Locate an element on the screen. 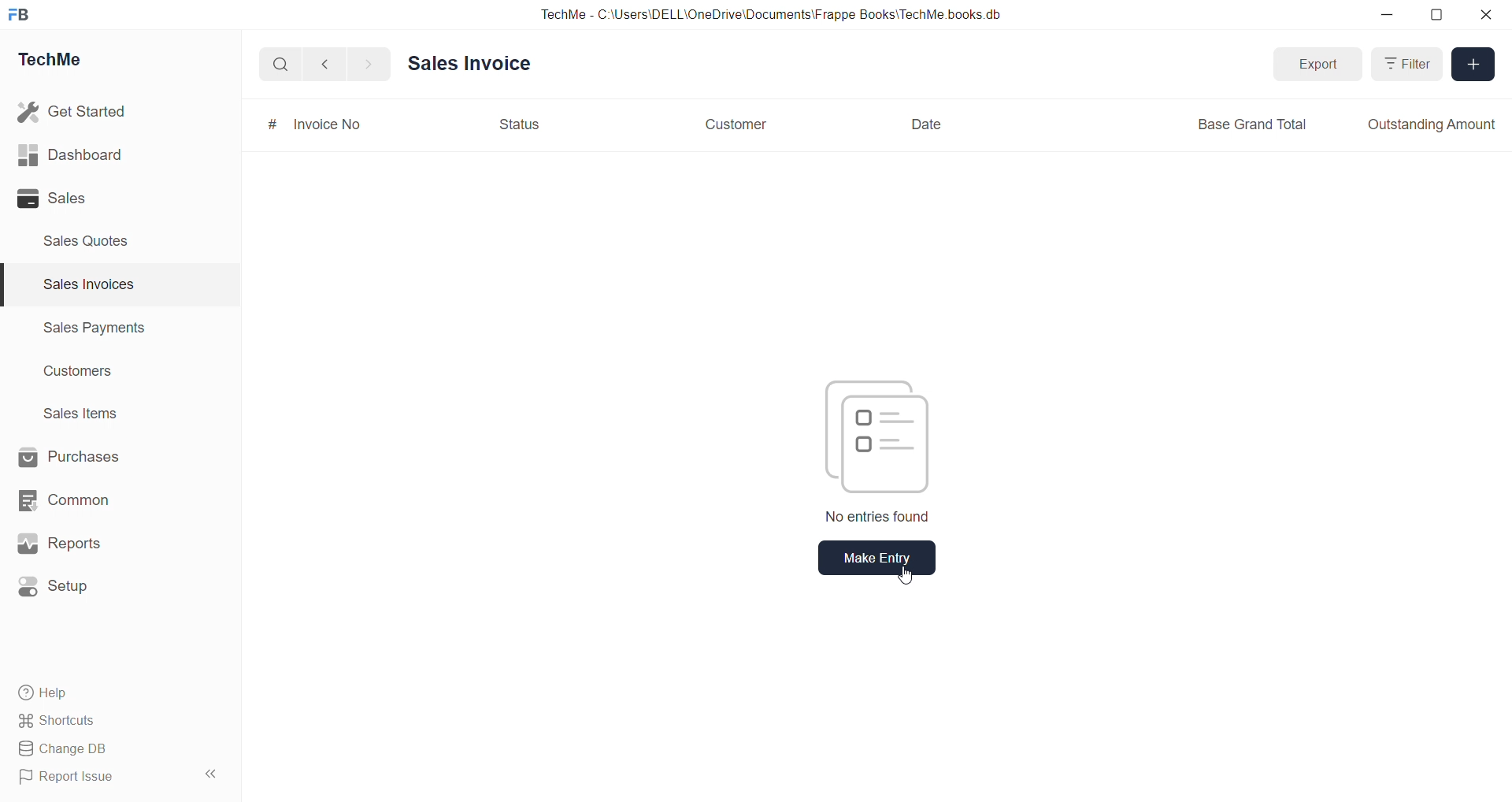 The height and width of the screenshot is (802, 1512). Sales Quotes is located at coordinates (87, 241).